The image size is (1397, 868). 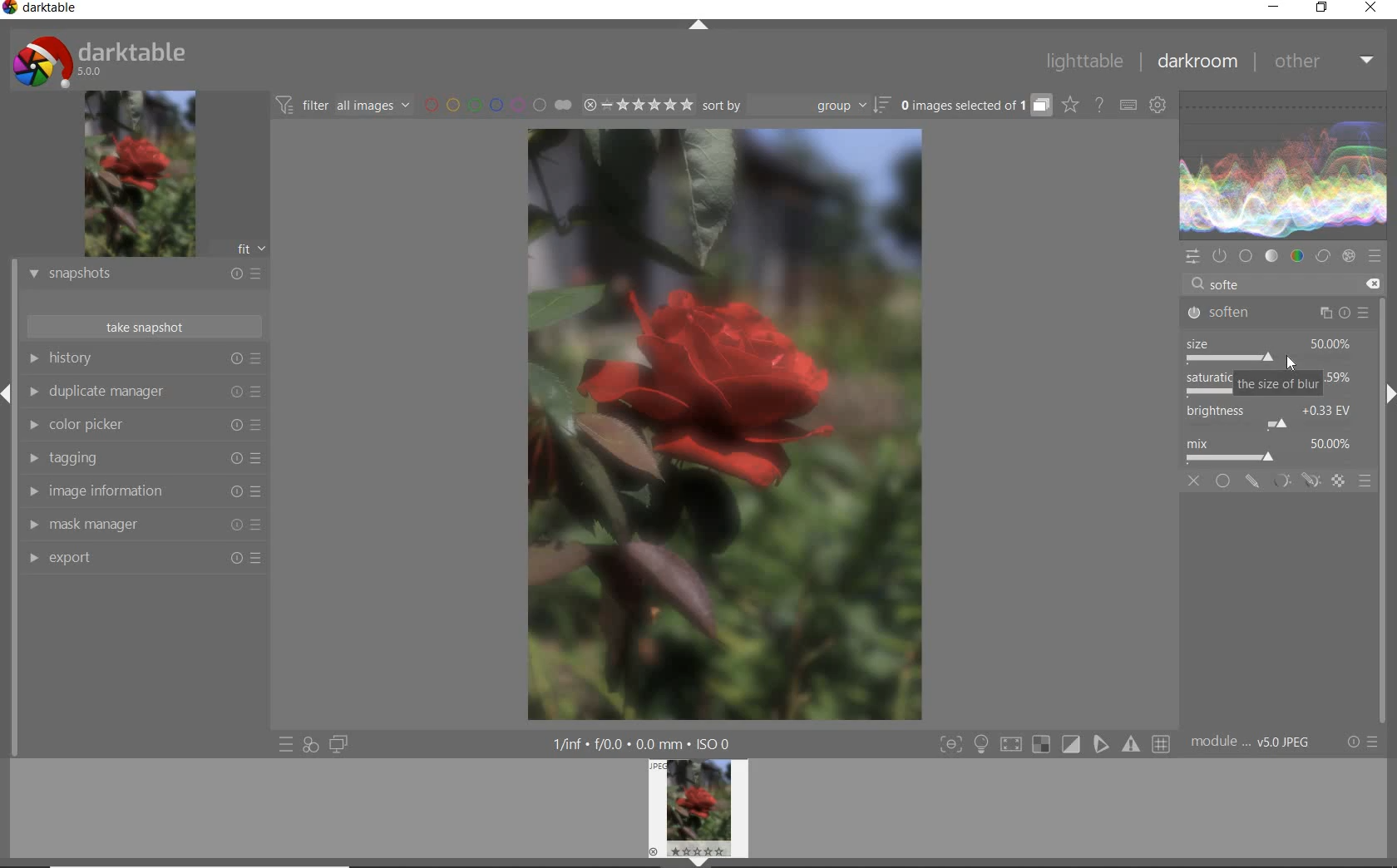 I want to click on effect, so click(x=1348, y=257).